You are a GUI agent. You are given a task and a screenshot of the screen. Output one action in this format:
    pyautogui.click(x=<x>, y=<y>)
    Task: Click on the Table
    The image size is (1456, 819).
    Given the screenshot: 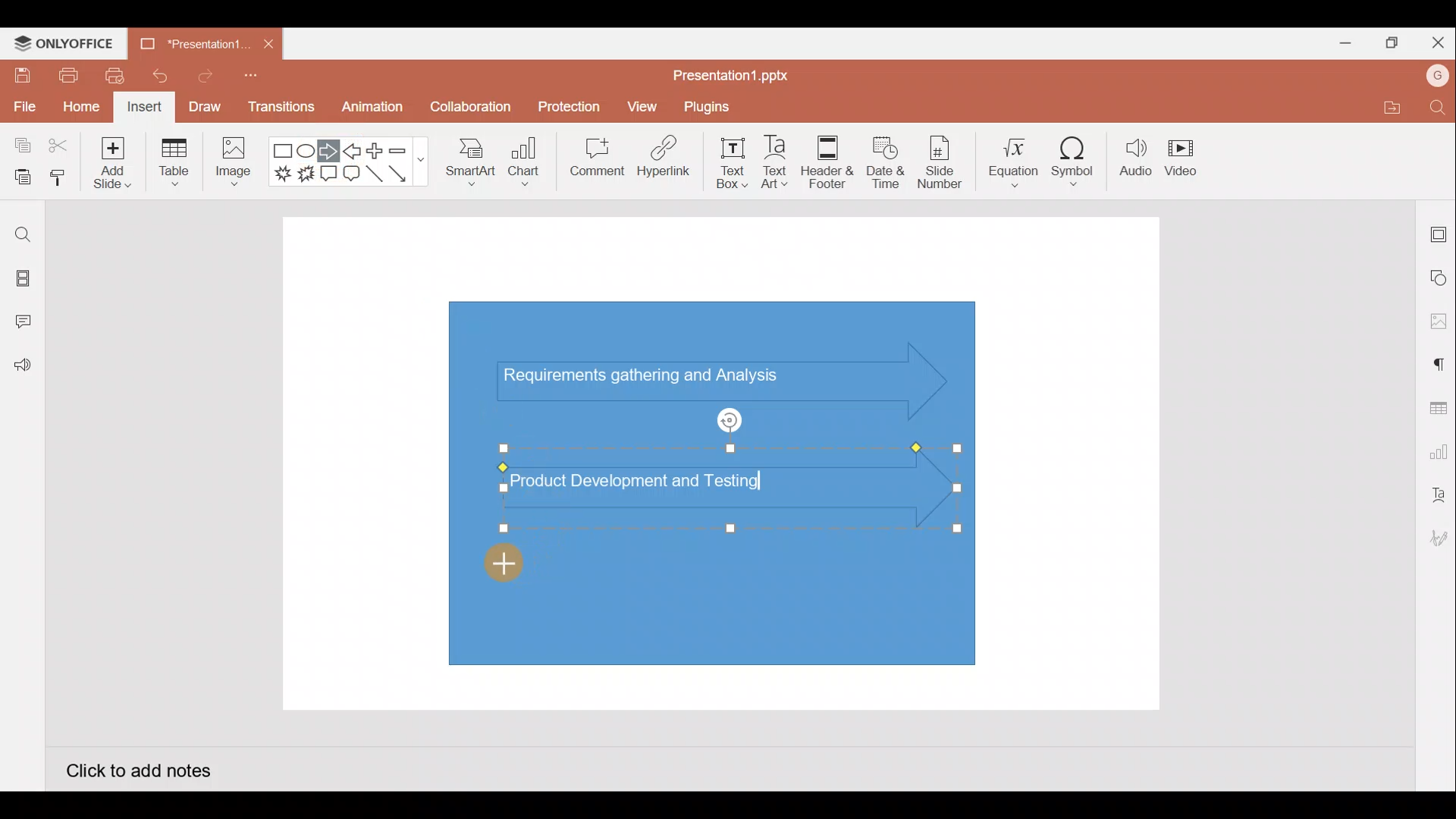 What is the action you would take?
    pyautogui.click(x=176, y=164)
    